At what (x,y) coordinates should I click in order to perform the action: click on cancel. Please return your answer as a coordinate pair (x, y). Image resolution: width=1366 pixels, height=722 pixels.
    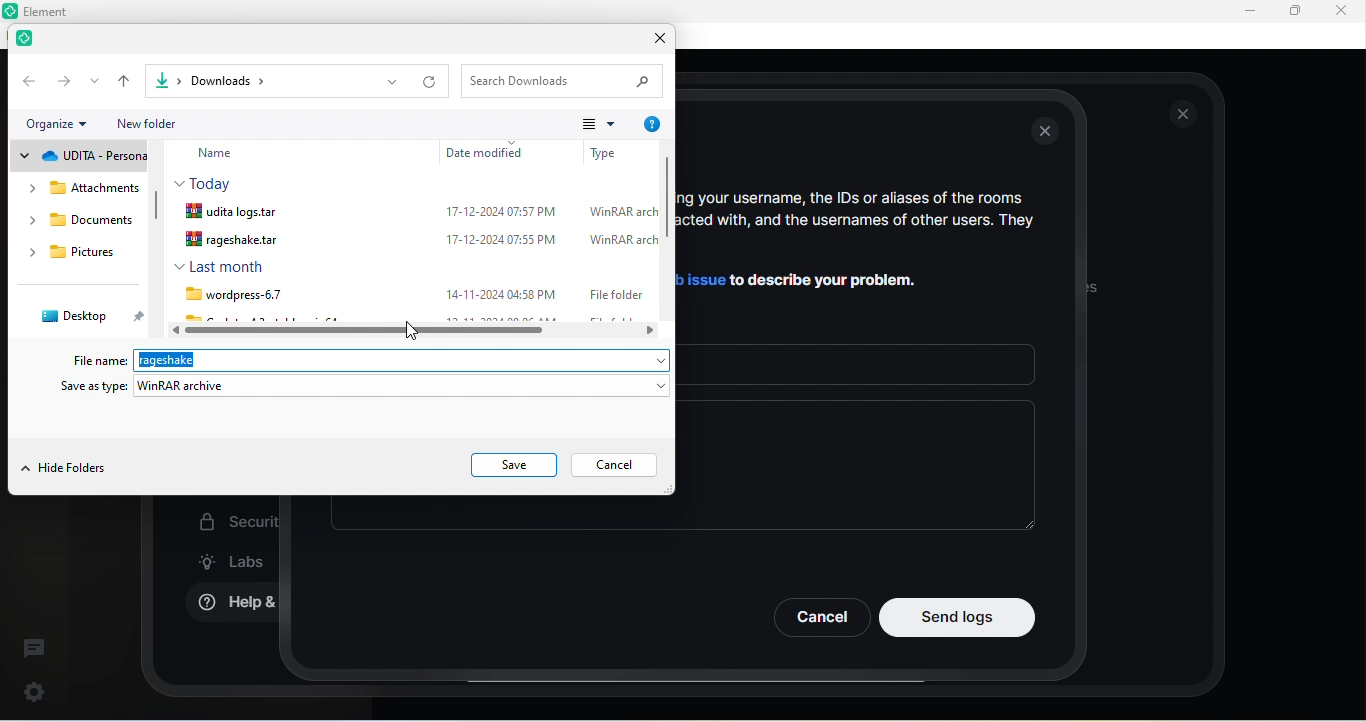
    Looking at the image, I should click on (619, 466).